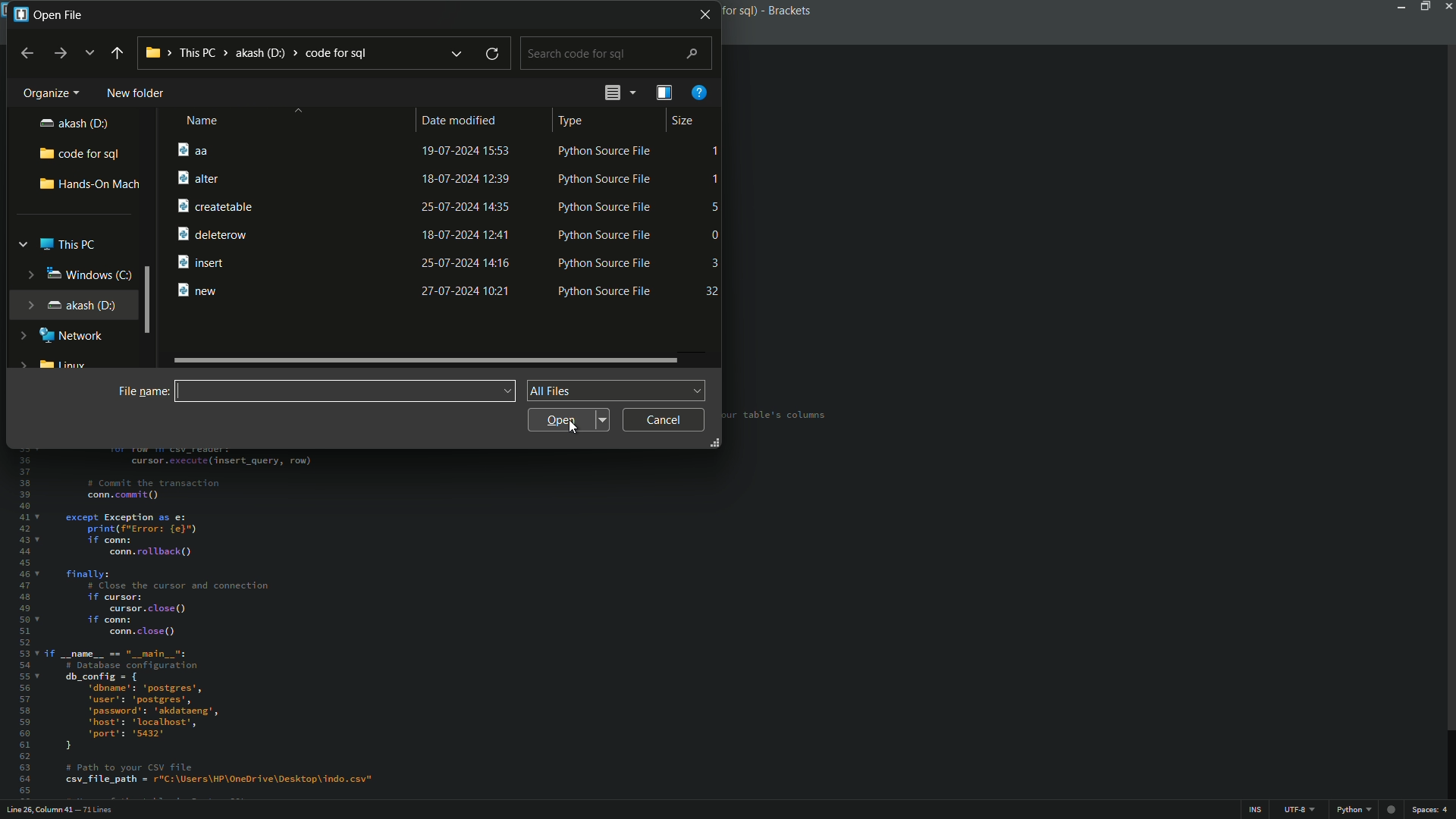 The image size is (1456, 819). What do you see at coordinates (89, 184) in the screenshot?
I see `hands-on-mach` at bounding box center [89, 184].